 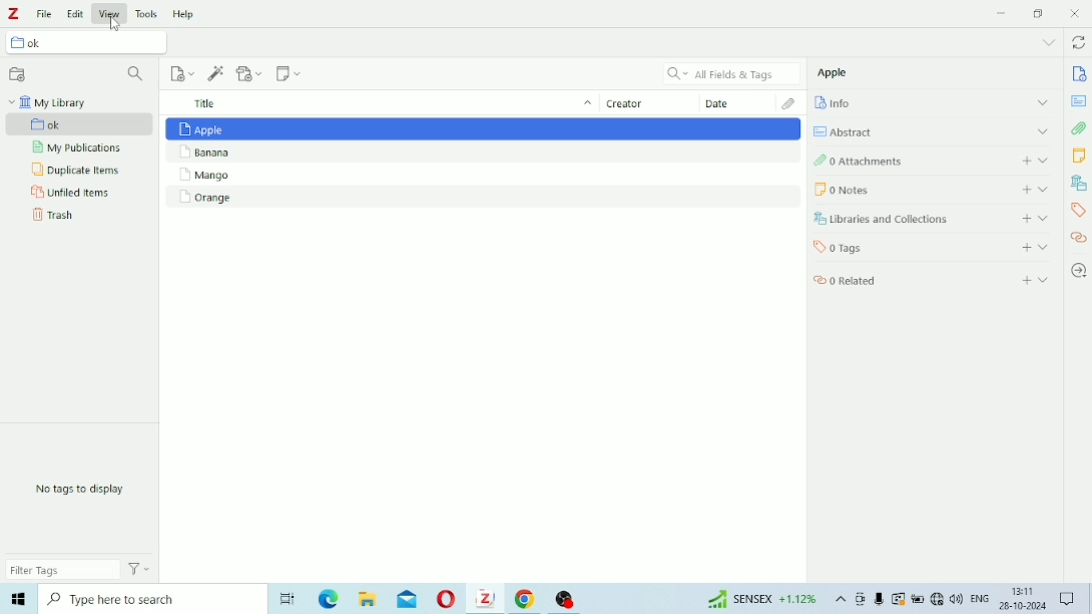 I want to click on Duplicate items., so click(x=77, y=171).